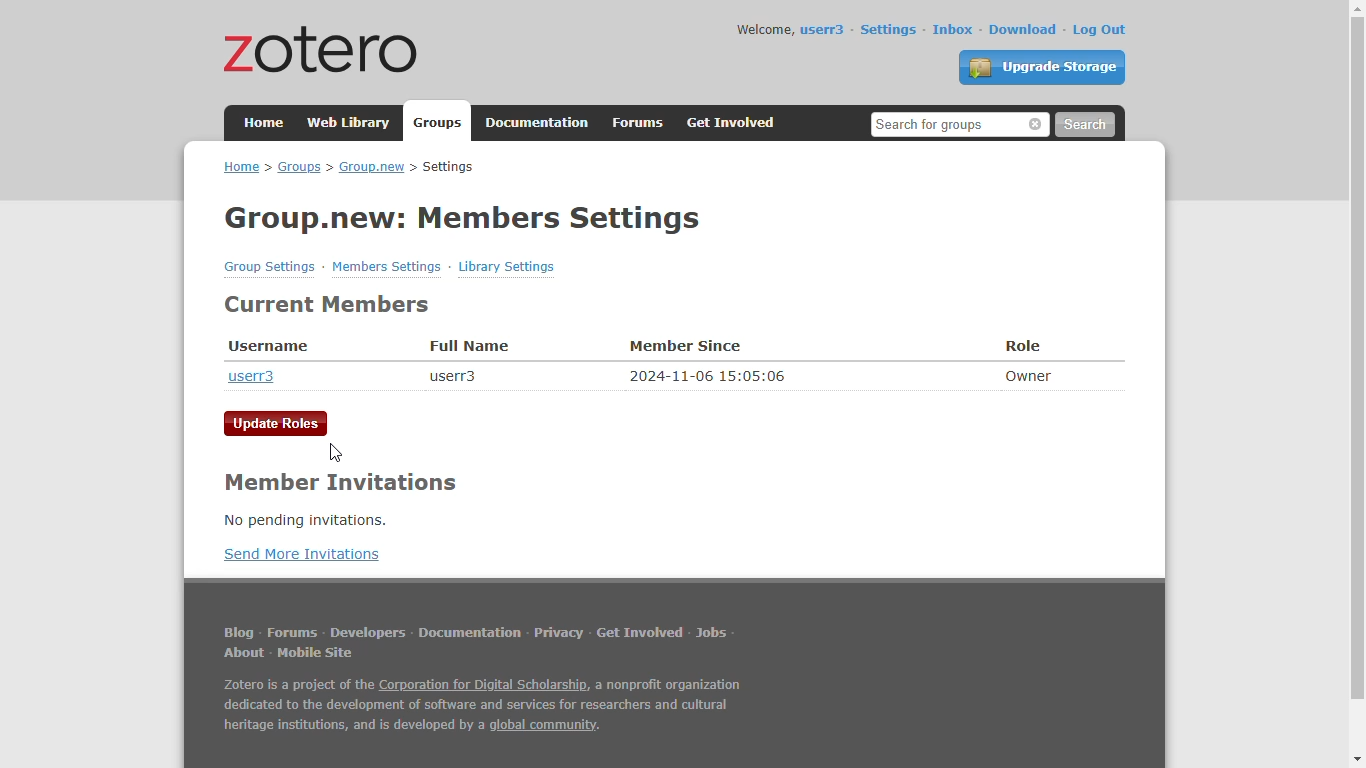 This screenshot has height=768, width=1366. Describe the element at coordinates (1043, 67) in the screenshot. I see `upgrade storage` at that location.